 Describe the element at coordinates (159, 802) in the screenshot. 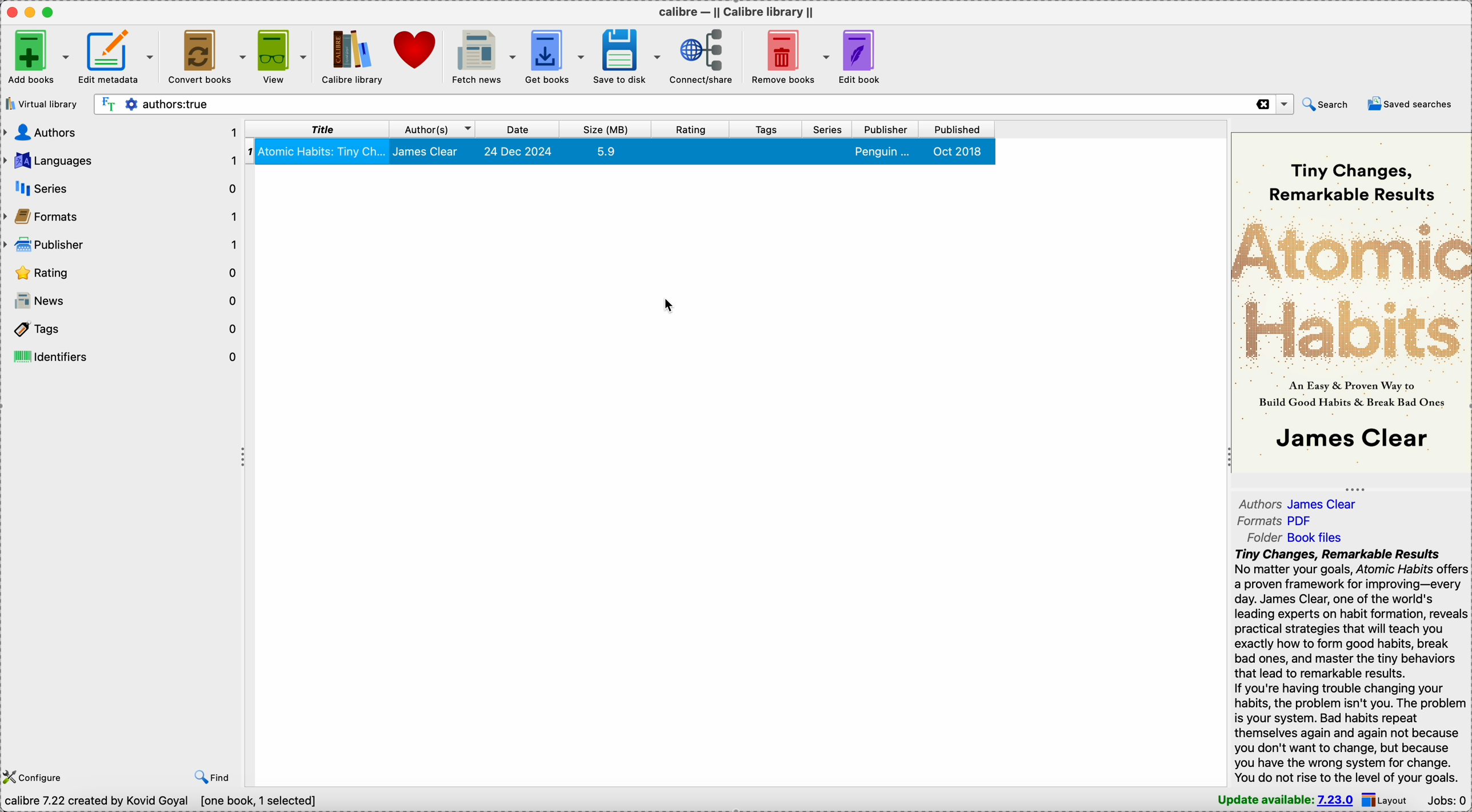

I see `Calibre 7.22 created by Kovid Goyal [one book, 1 selected]` at that location.